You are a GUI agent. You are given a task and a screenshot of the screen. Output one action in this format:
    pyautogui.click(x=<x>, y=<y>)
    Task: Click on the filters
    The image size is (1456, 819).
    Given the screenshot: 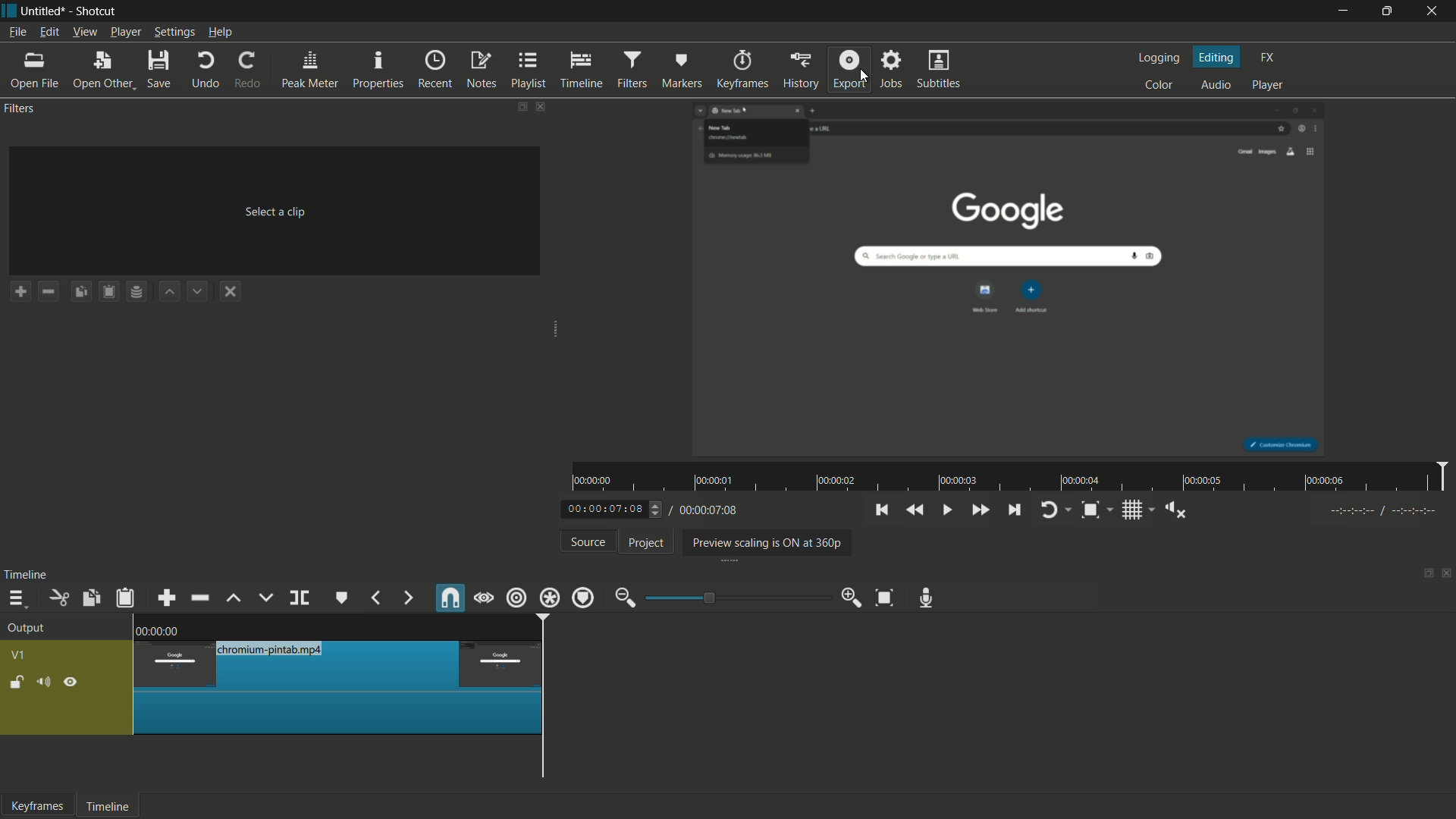 What is the action you would take?
    pyautogui.click(x=18, y=108)
    